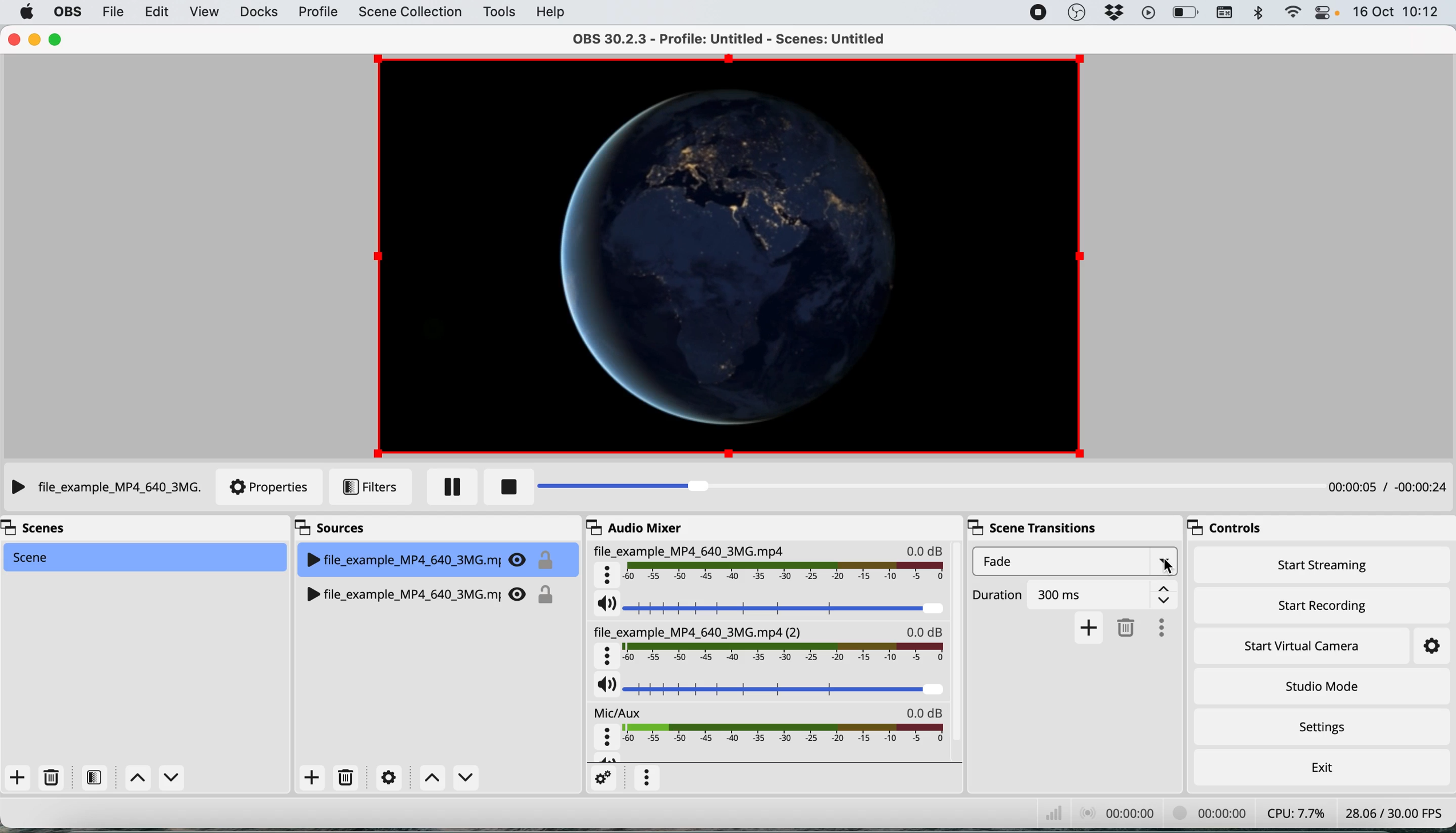 The height and width of the screenshot is (833, 1456). I want to click on keyboard, so click(1227, 13).